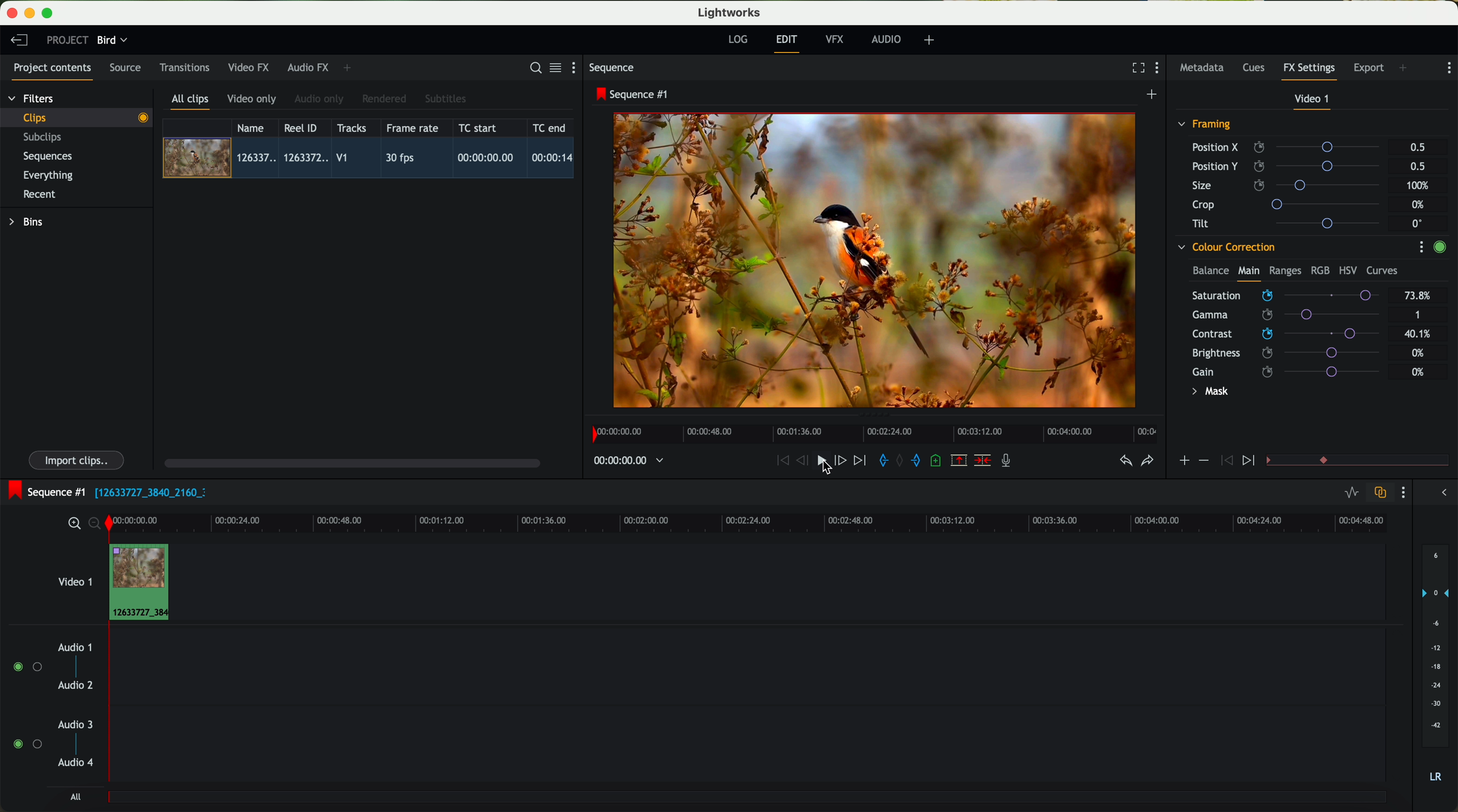  I want to click on enable, so click(1439, 248).